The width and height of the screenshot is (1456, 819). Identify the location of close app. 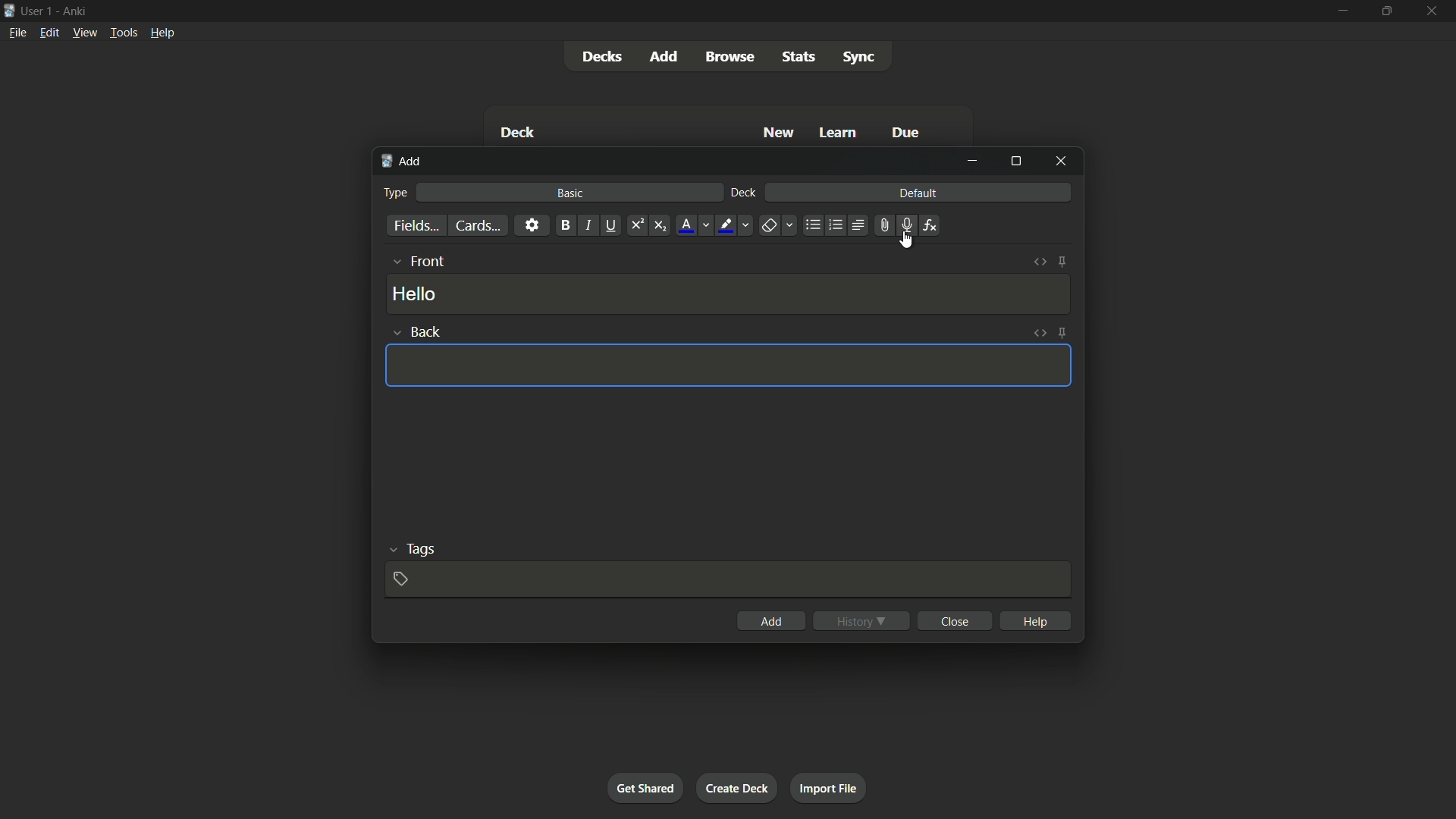
(1436, 12).